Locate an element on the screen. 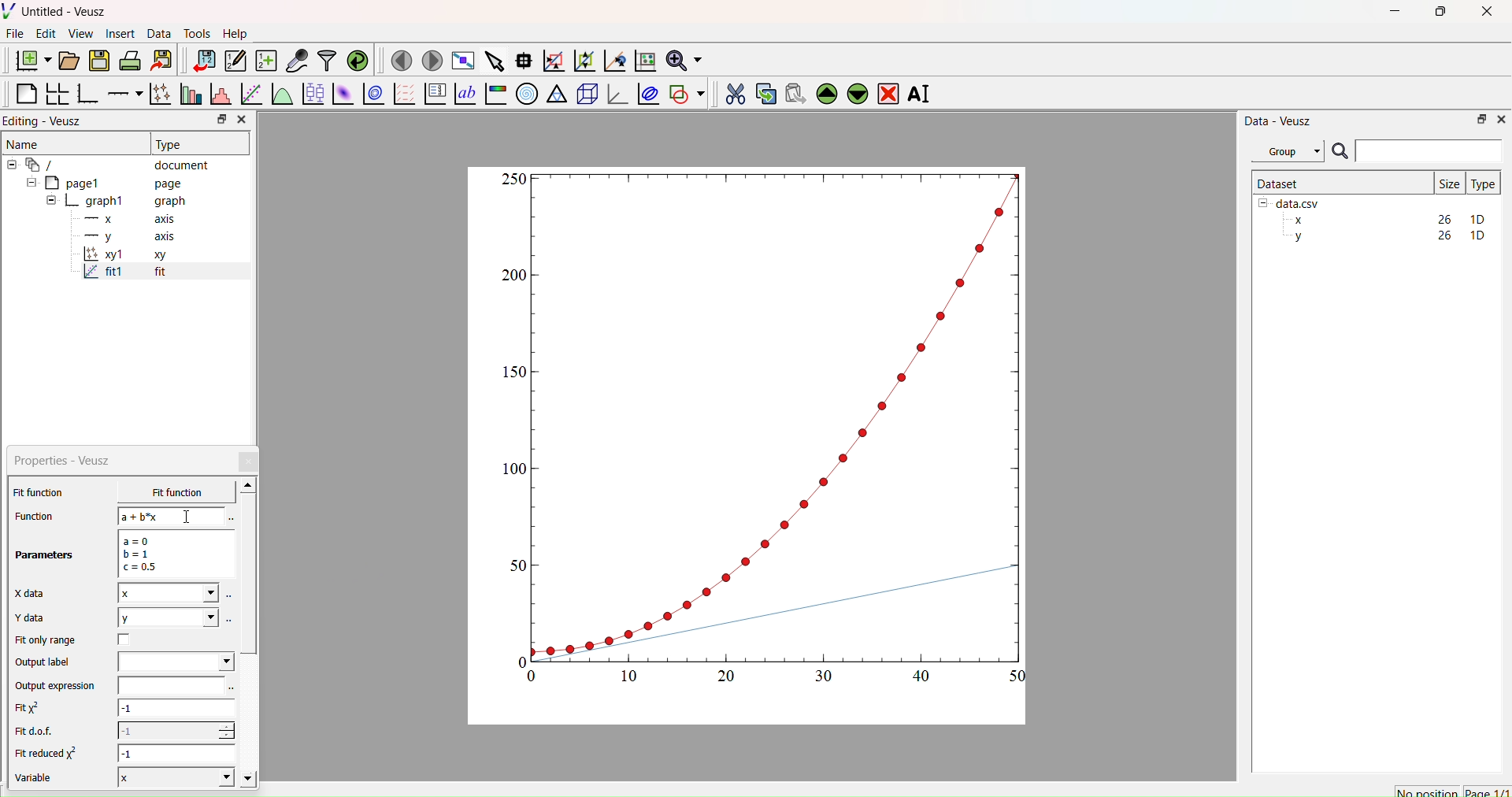 This screenshot has width=1512, height=797. Blank Page is located at coordinates (26, 94).